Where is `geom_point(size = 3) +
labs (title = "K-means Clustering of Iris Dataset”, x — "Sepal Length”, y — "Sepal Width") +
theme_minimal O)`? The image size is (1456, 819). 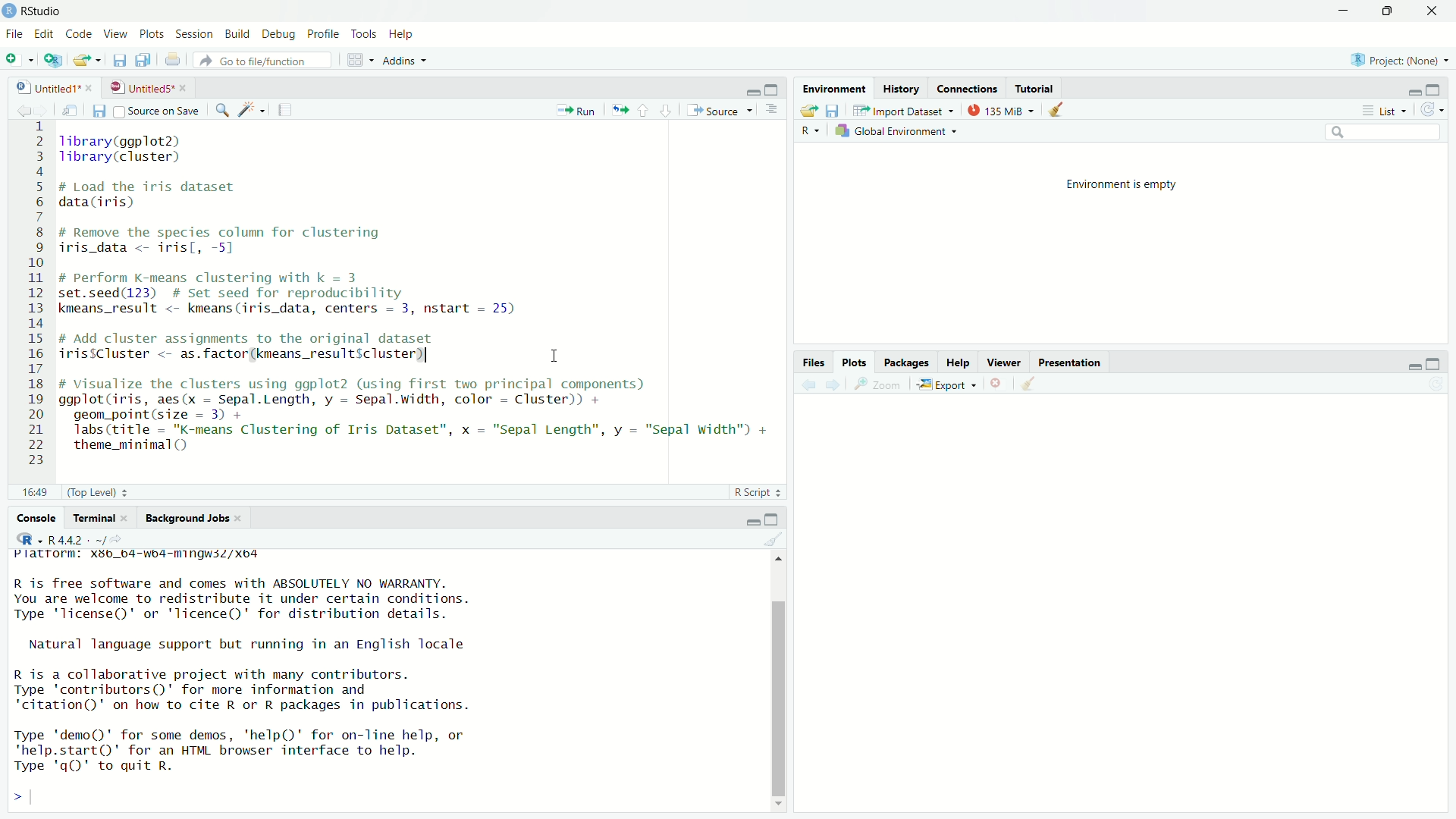
geom_point(size = 3) +
labs (title = "K-means Clustering of Iris Dataset”, x — "Sepal Length”, y — "Sepal Width") +
theme_minimal O) is located at coordinates (428, 431).